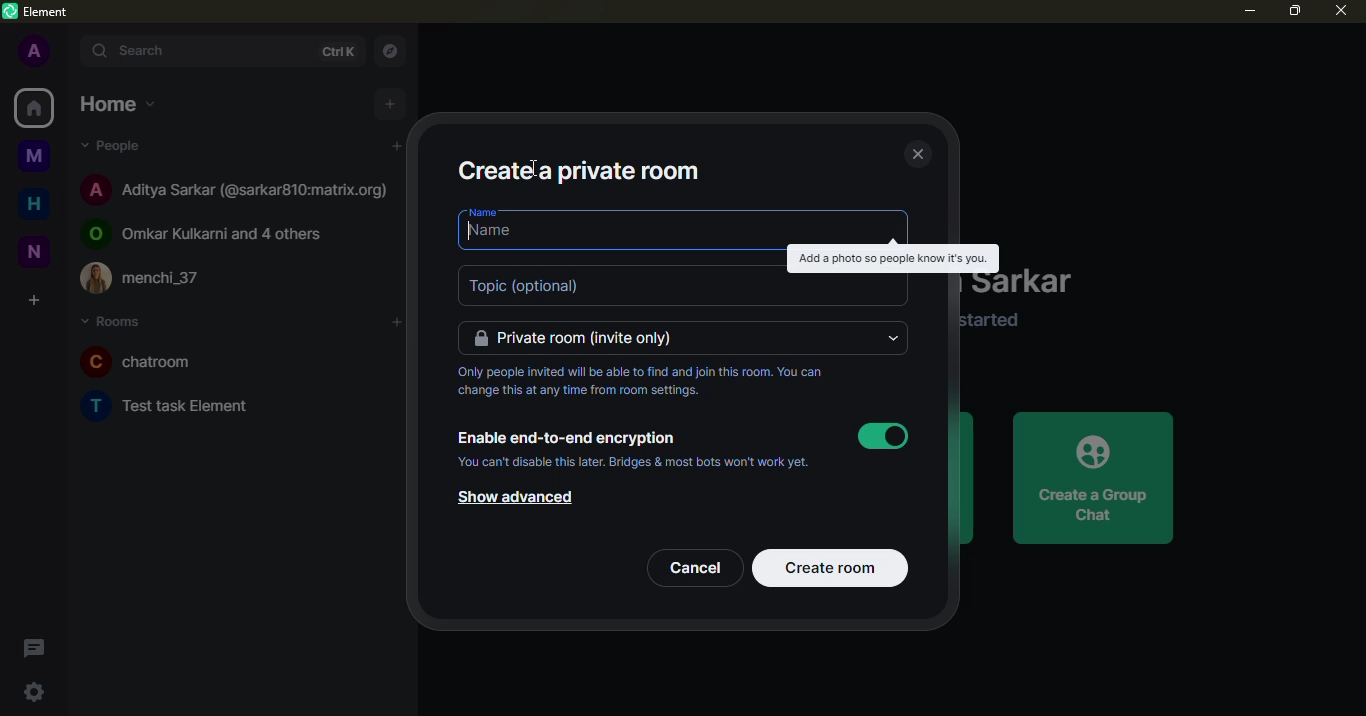  What do you see at coordinates (236, 191) in the screenshot?
I see `Aditya Sarkar (@sarkar810:matrix.org)` at bounding box center [236, 191].